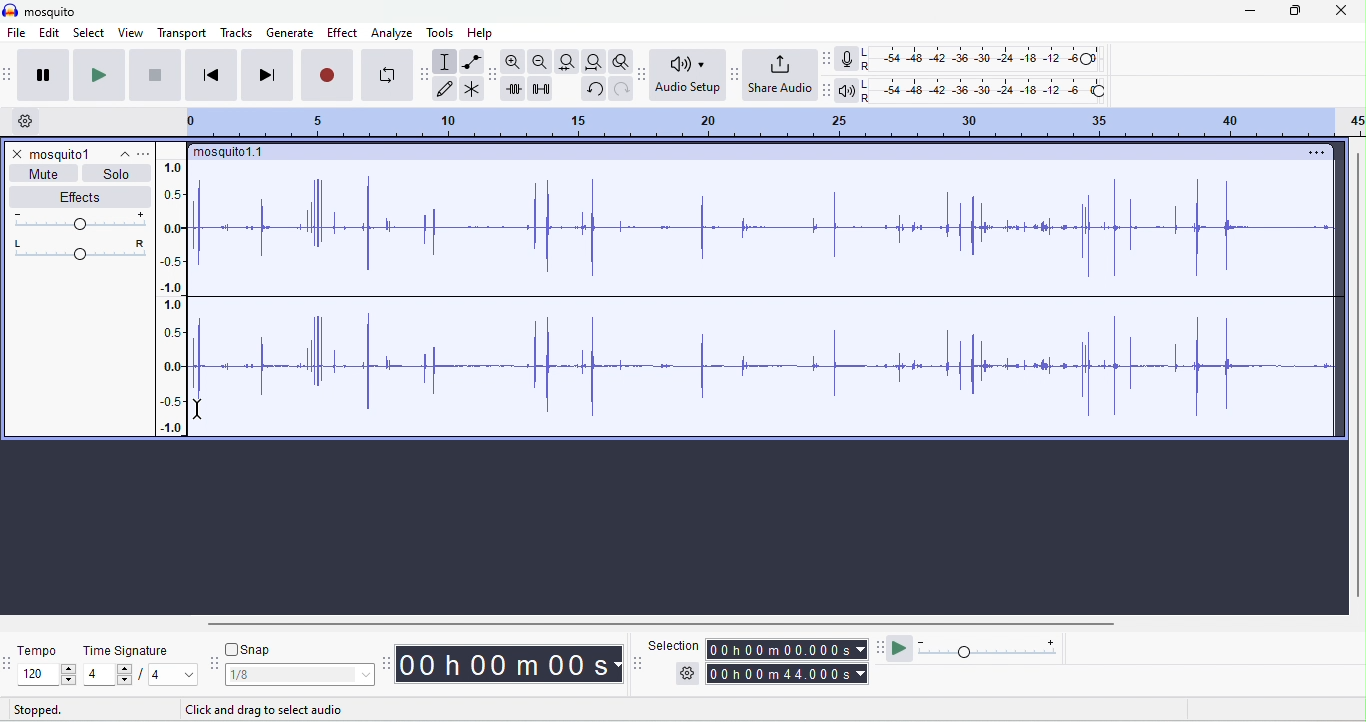 Image resolution: width=1366 pixels, height=722 pixels. Describe the element at coordinates (170, 291) in the screenshot. I see `amplitude` at that location.